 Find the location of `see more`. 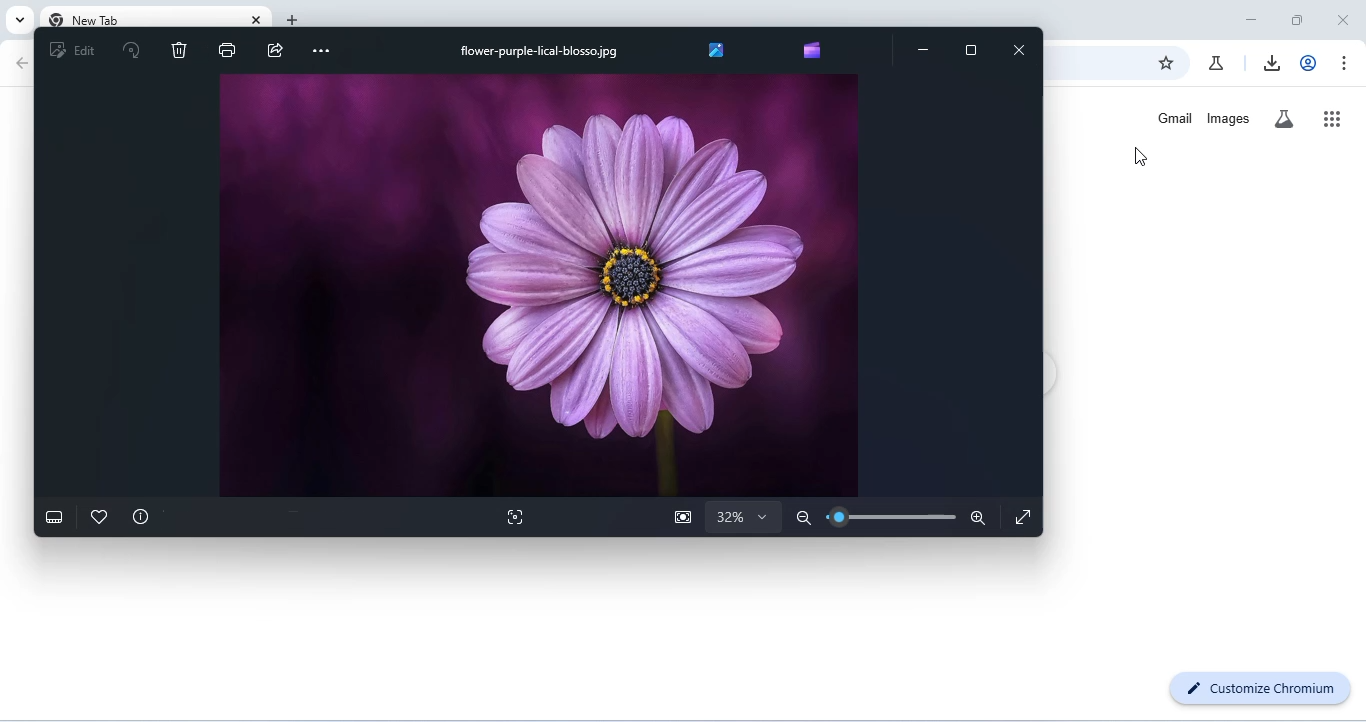

see more is located at coordinates (324, 50).